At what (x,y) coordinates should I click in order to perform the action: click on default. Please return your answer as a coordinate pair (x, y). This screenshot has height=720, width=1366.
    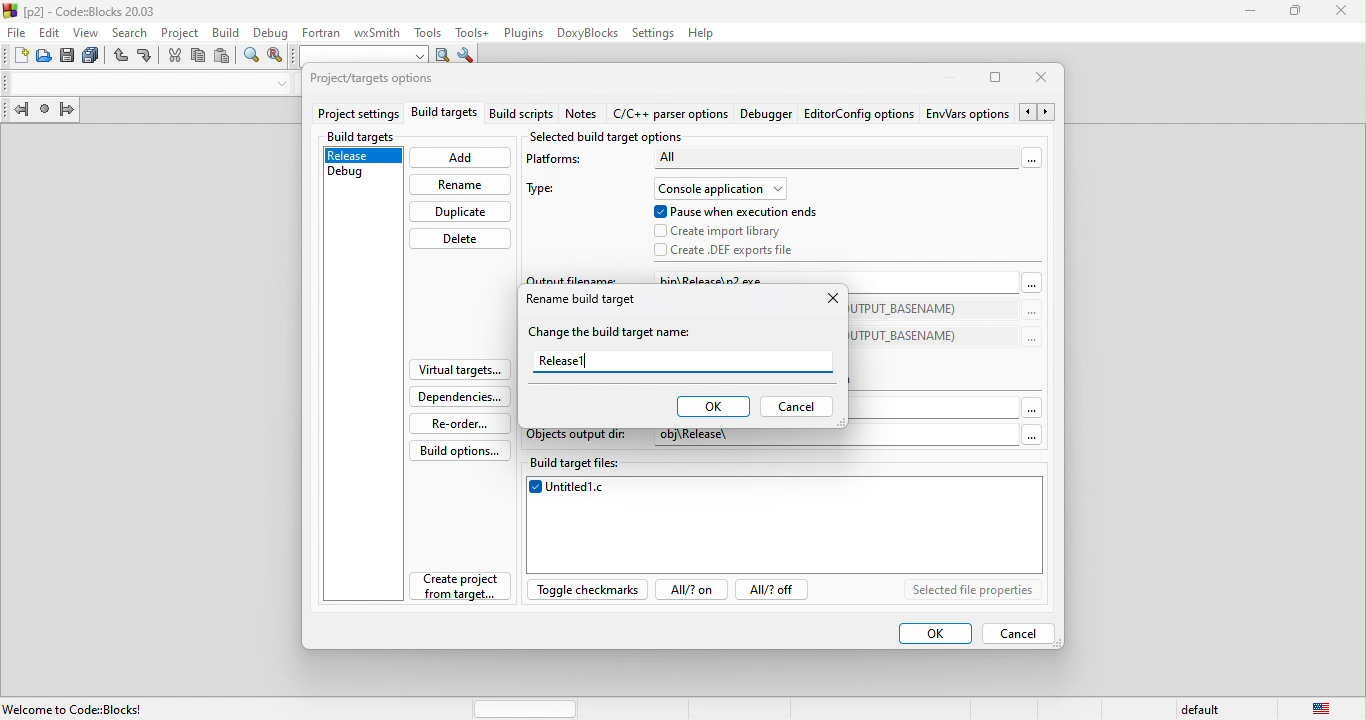
    Looking at the image, I should click on (1204, 707).